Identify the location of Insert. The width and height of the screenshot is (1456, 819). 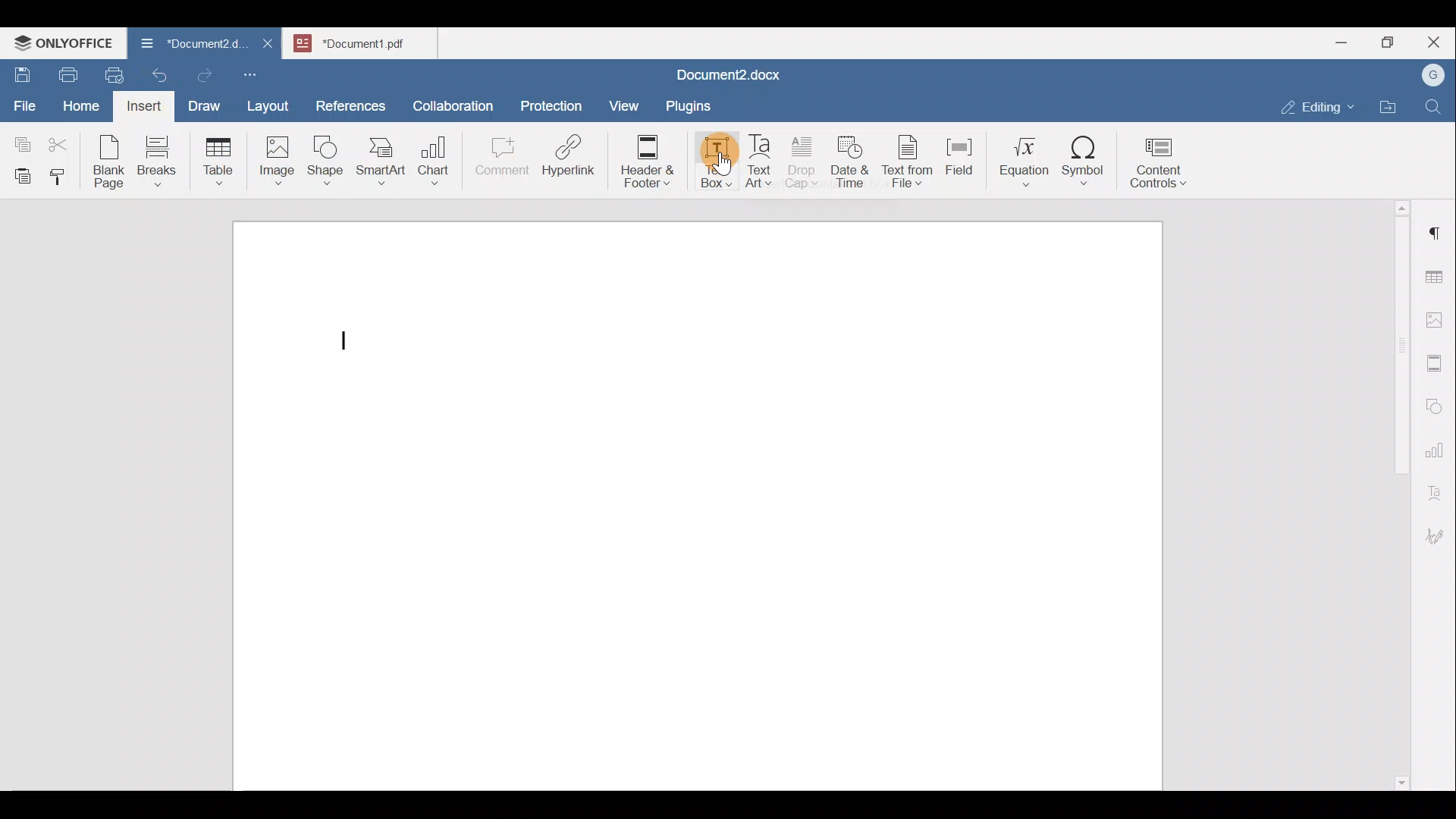
(141, 105).